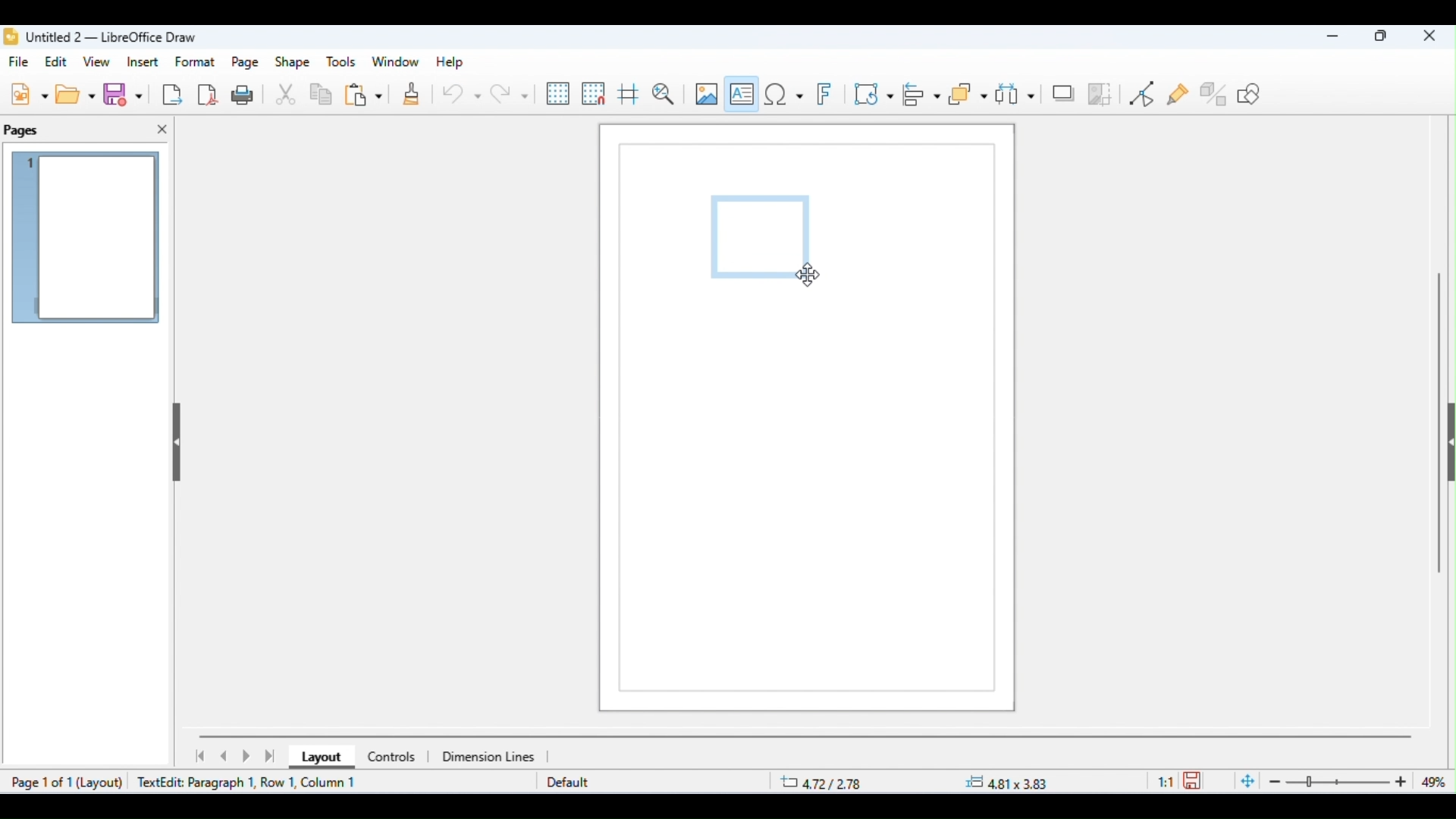 The width and height of the screenshot is (1456, 819). What do you see at coordinates (1015, 93) in the screenshot?
I see `select at least three objects to distribute` at bounding box center [1015, 93].